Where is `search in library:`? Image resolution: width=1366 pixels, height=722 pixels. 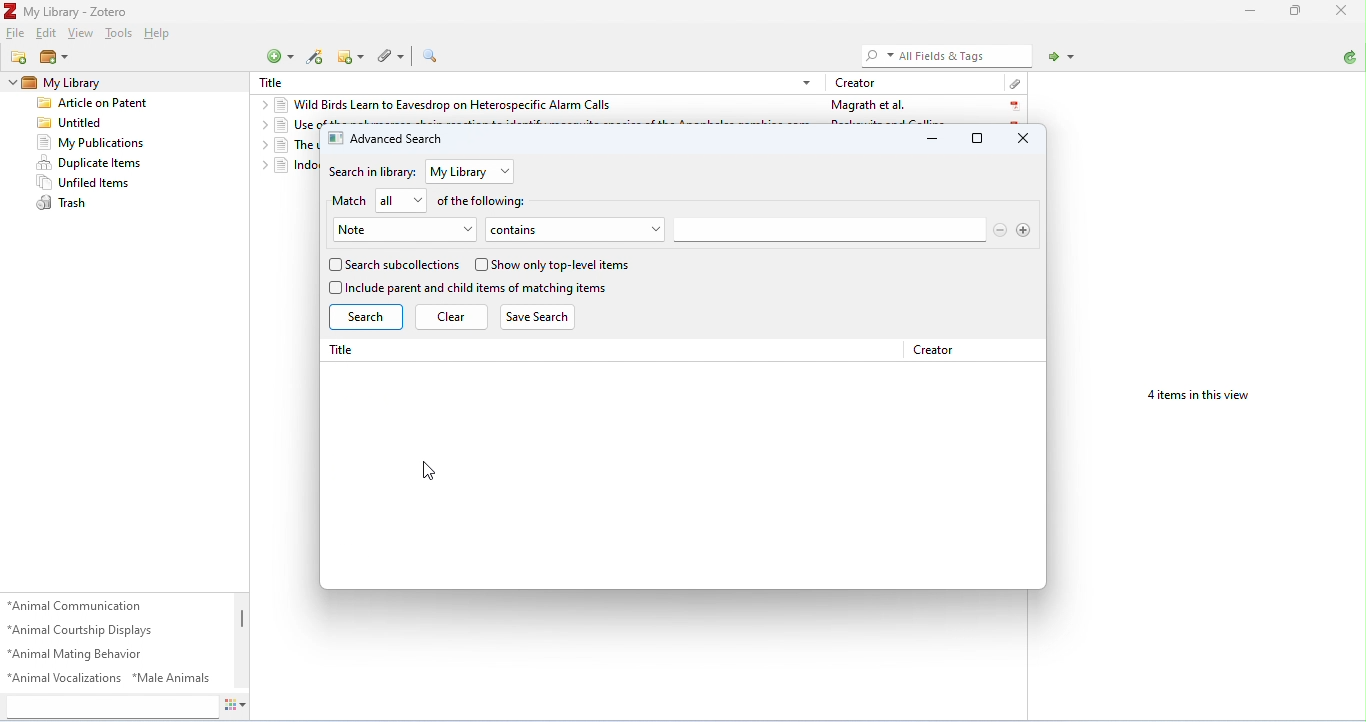
search in library: is located at coordinates (375, 173).